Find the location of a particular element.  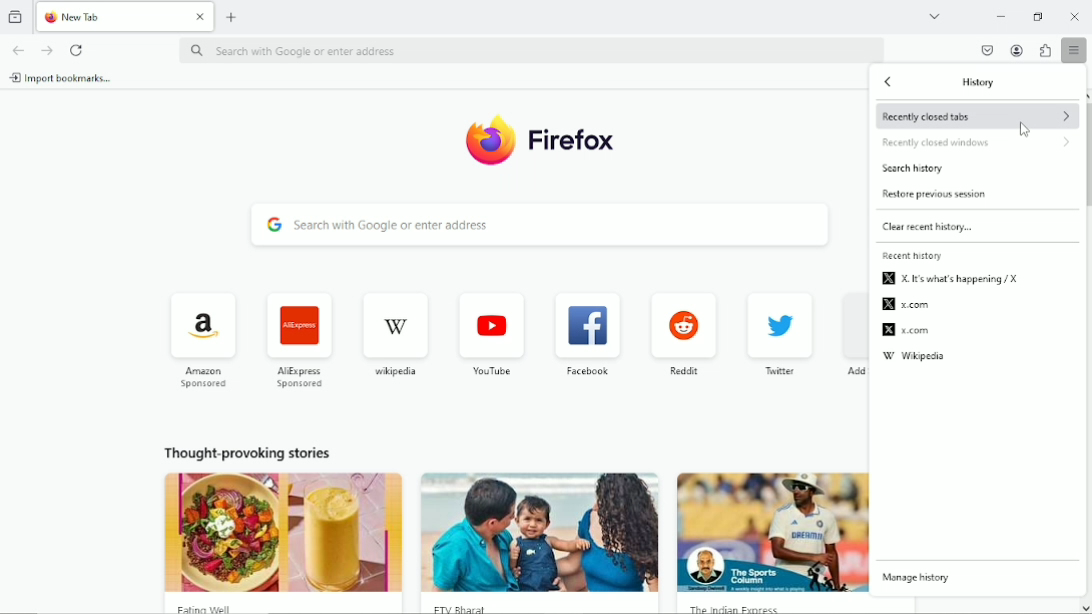

AliExpress is located at coordinates (298, 376).